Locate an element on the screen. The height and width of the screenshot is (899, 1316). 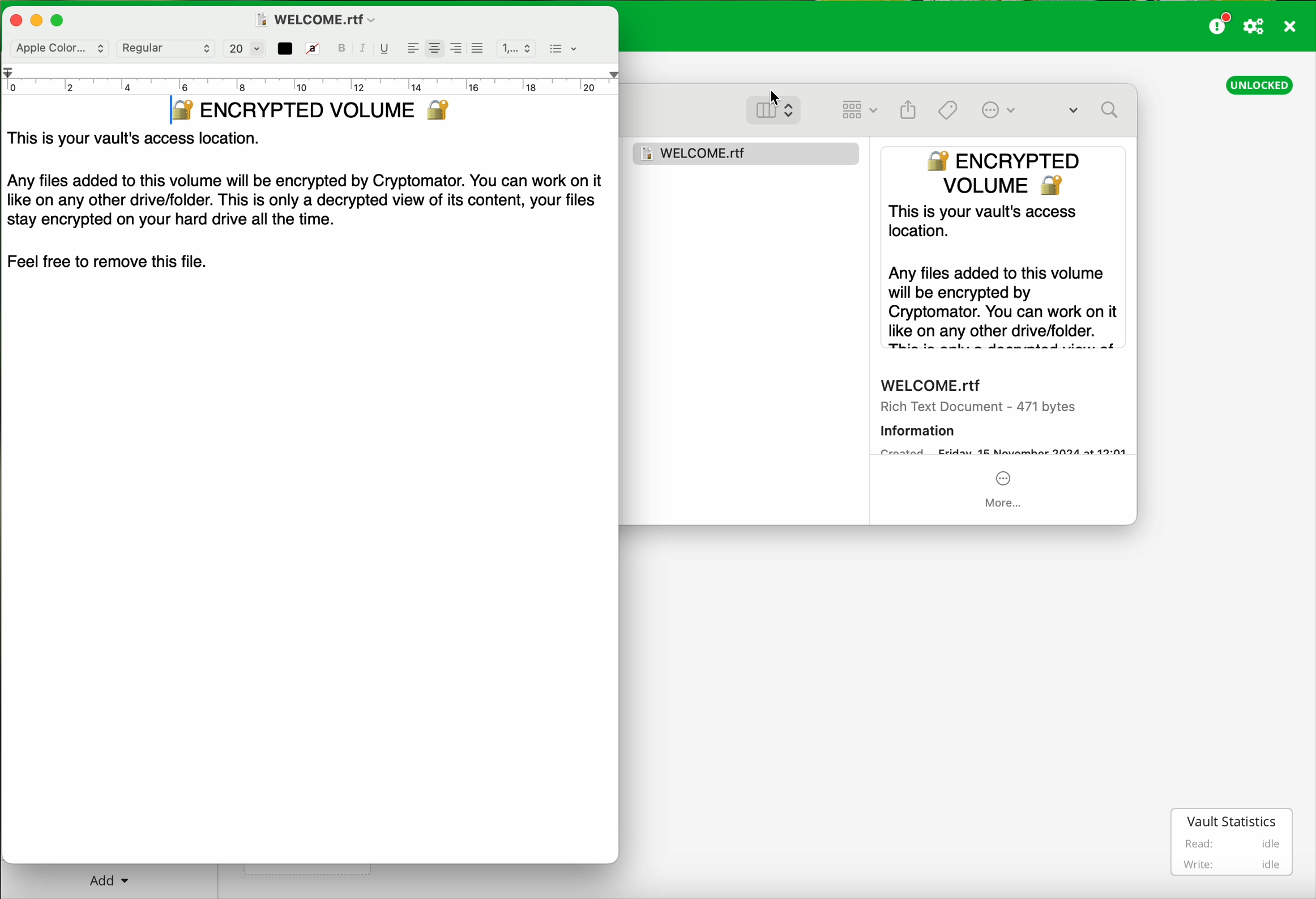
Column View is located at coordinates (783, 108).